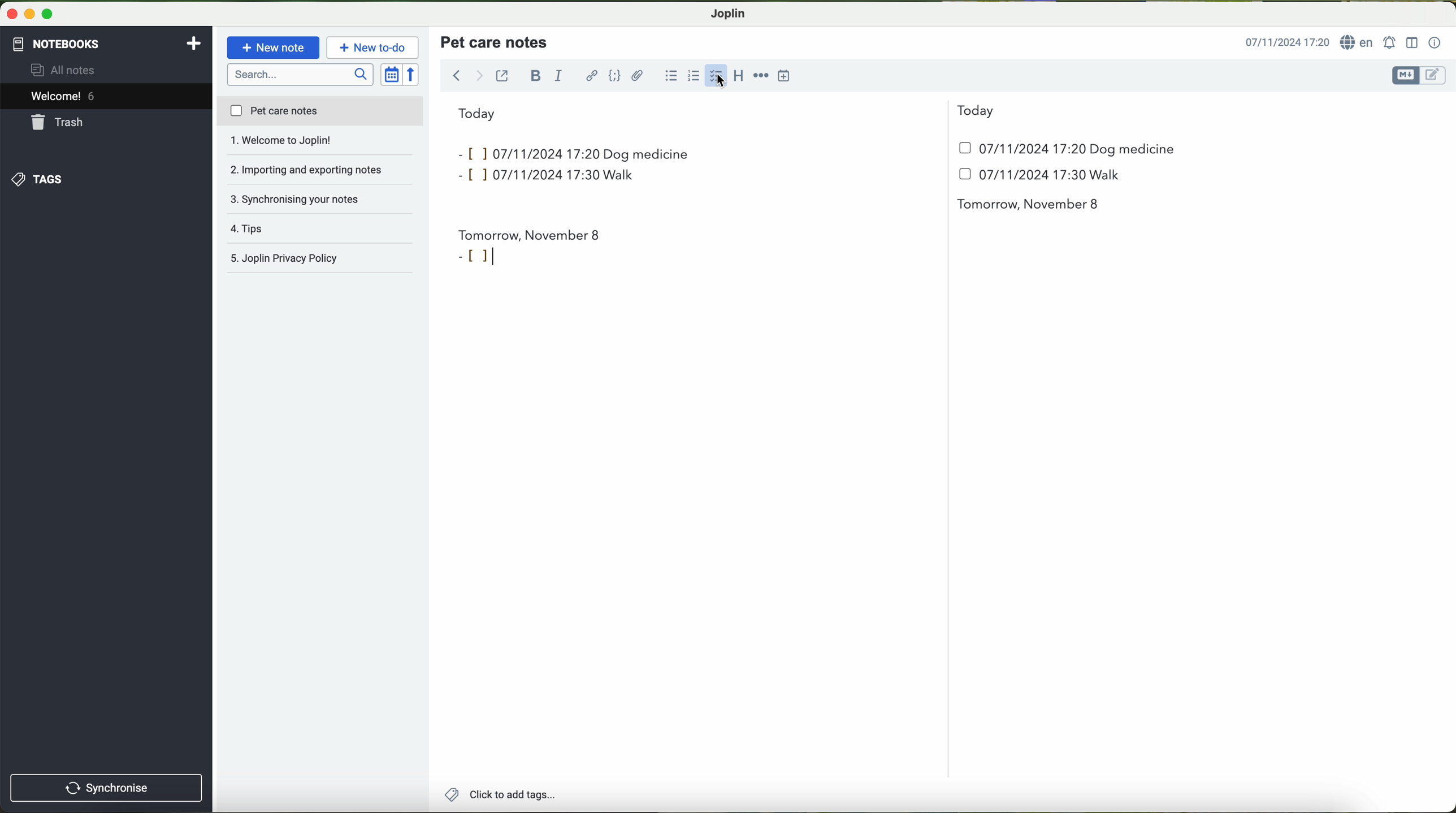 This screenshot has height=813, width=1456. I want to click on synchronising your notes, so click(321, 171).